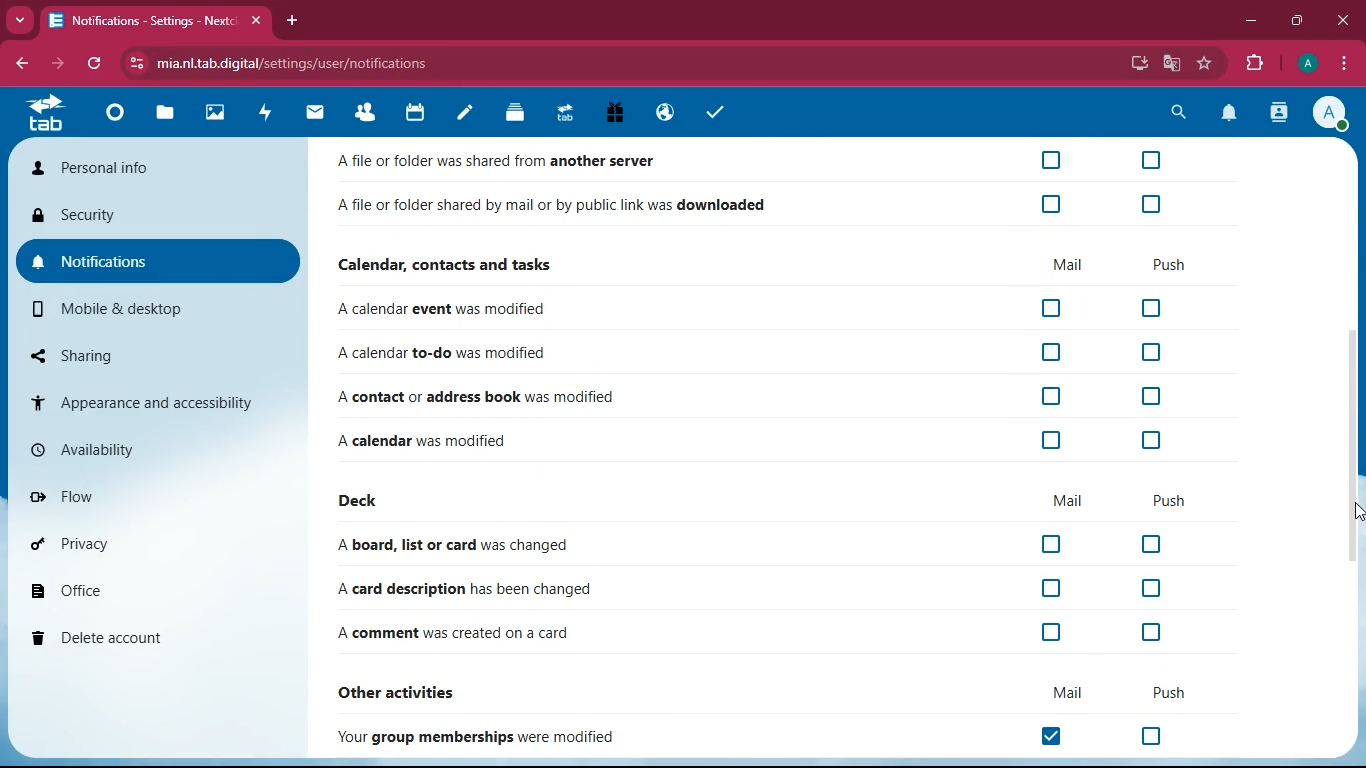 The height and width of the screenshot is (768, 1366). Describe the element at coordinates (456, 635) in the screenshot. I see `A comment was created on a card` at that location.